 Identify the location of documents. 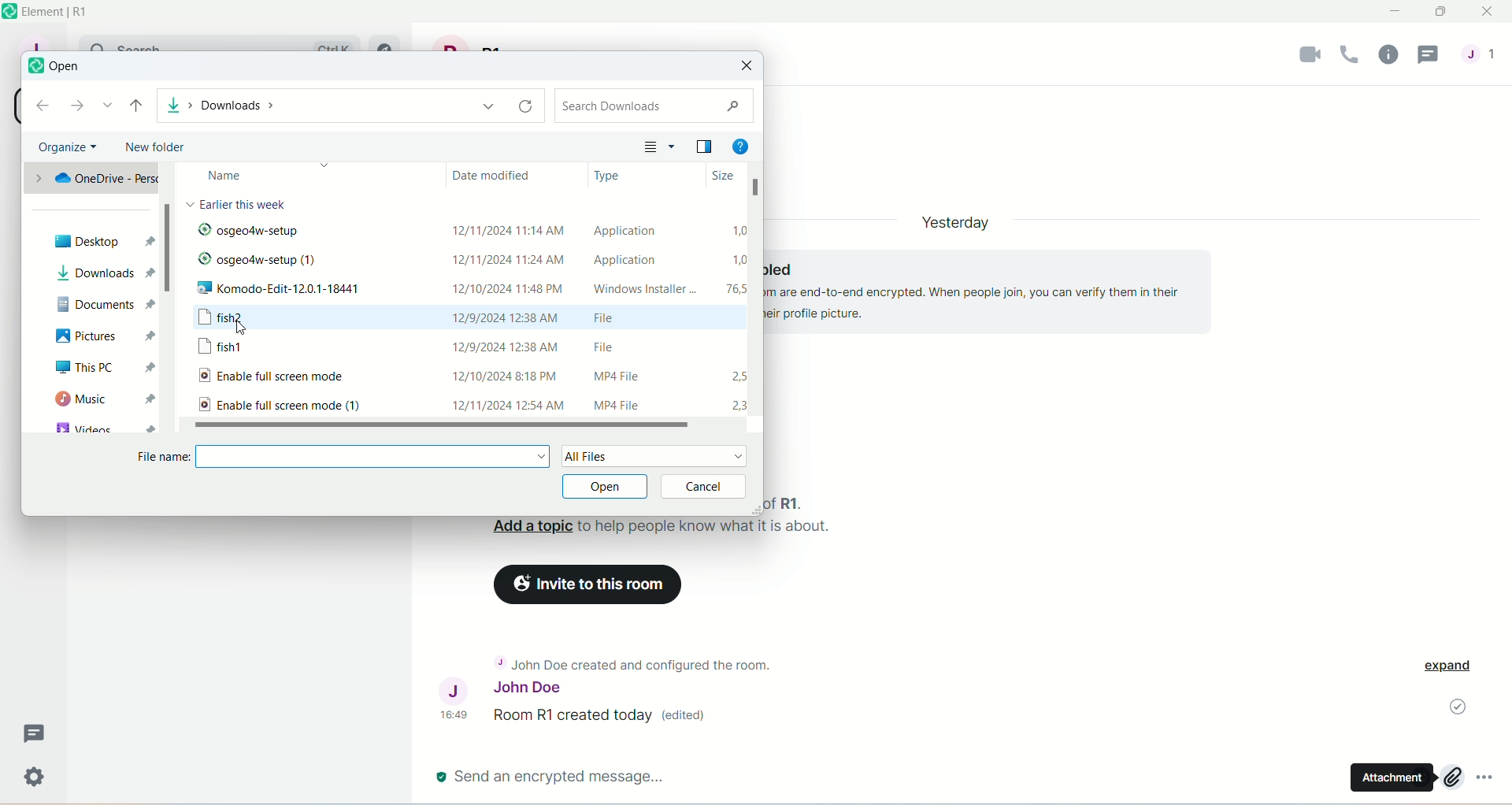
(105, 304).